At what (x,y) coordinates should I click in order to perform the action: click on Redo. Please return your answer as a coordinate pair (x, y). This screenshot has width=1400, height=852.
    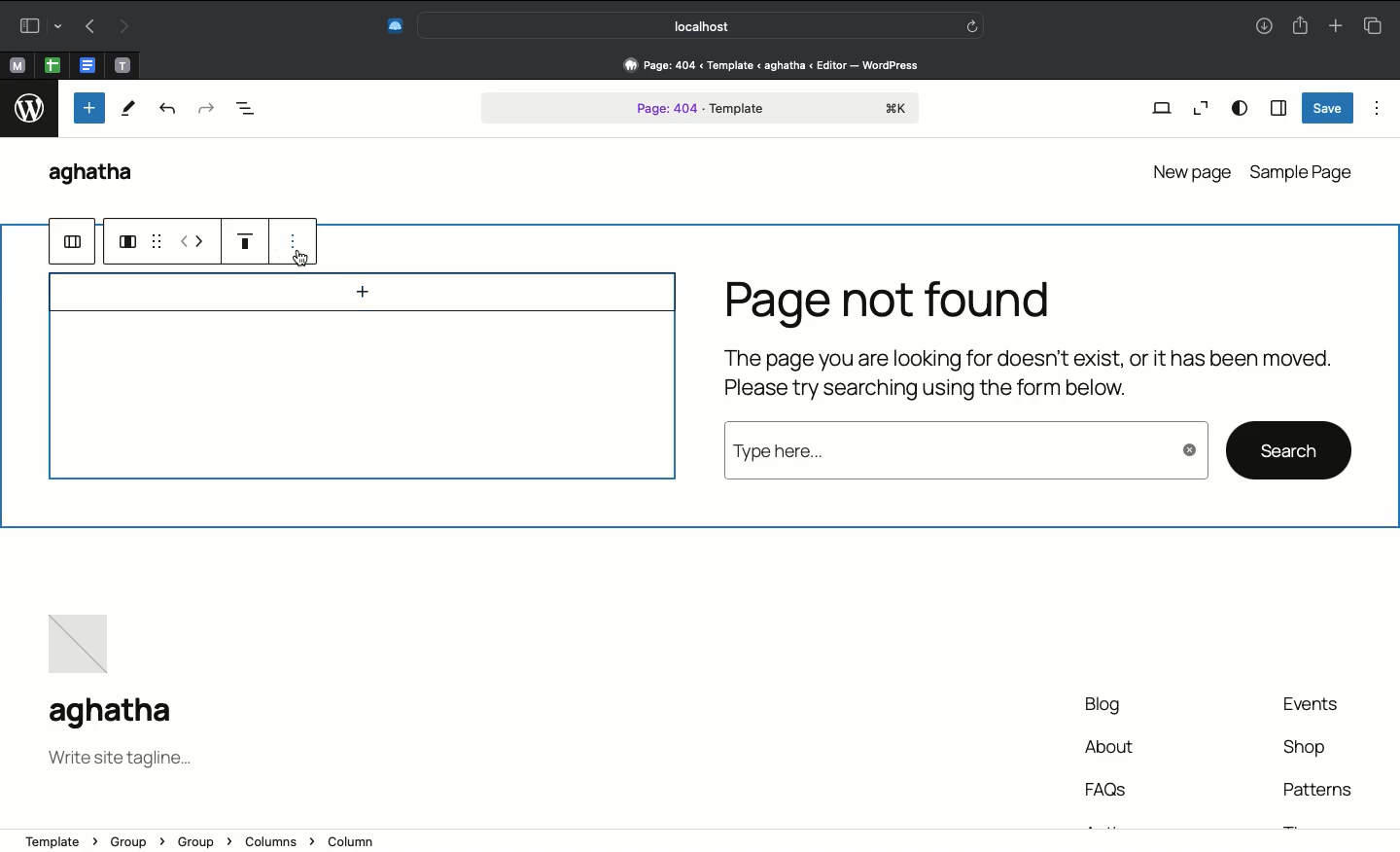
    Looking at the image, I should click on (122, 27).